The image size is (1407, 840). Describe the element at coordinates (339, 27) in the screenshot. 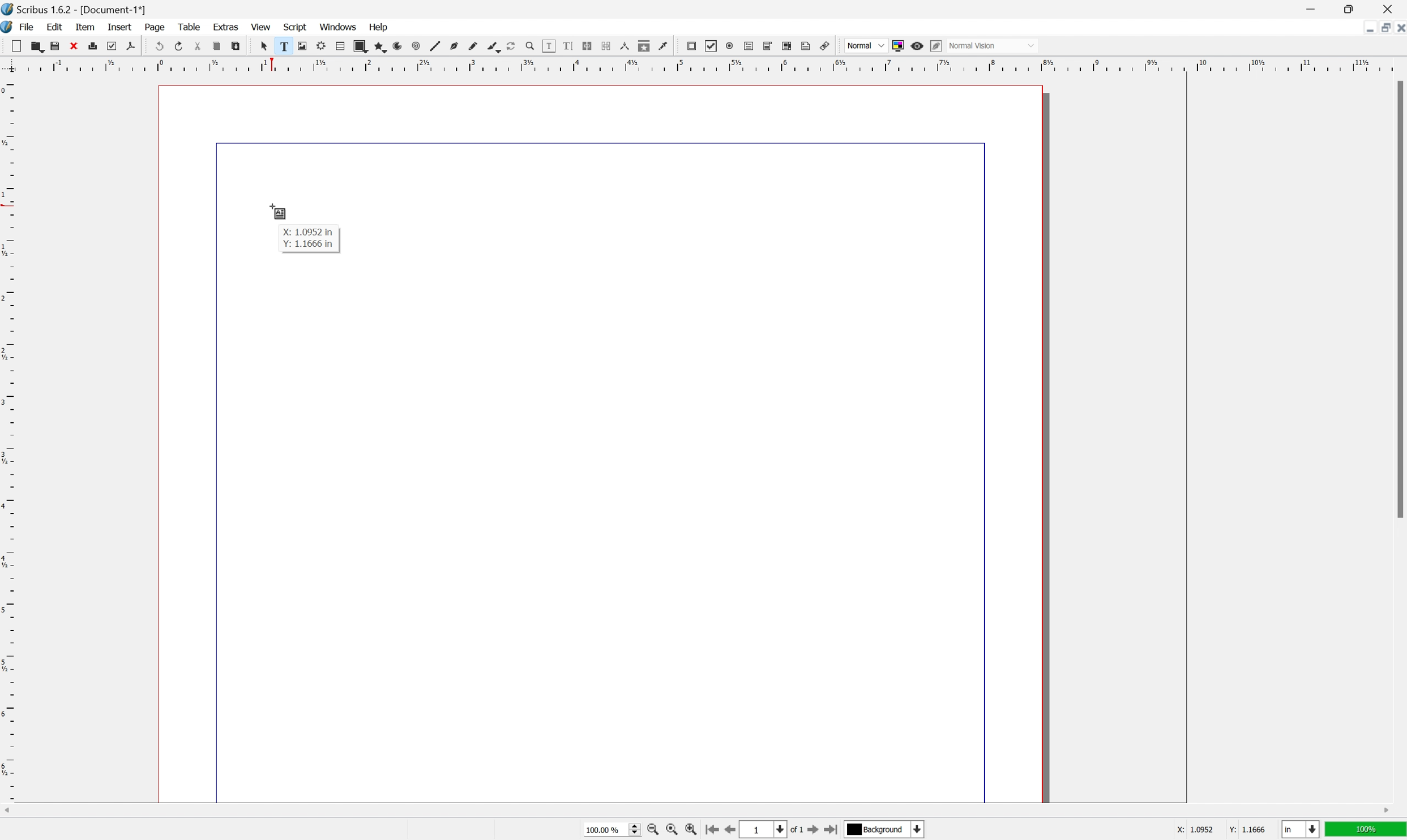

I see `windows` at that location.